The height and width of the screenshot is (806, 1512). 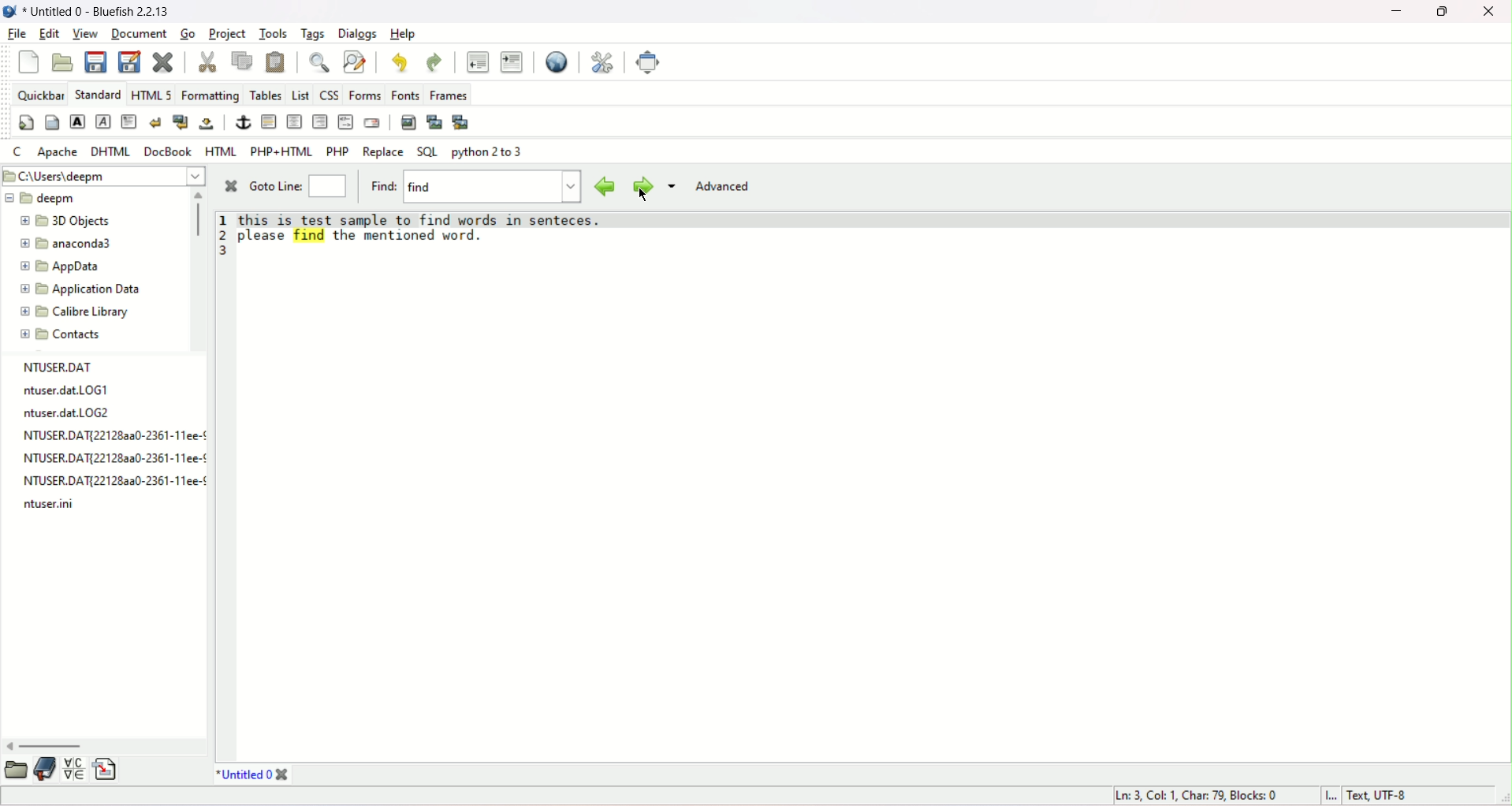 What do you see at coordinates (16, 151) in the screenshot?
I see `C` at bounding box center [16, 151].